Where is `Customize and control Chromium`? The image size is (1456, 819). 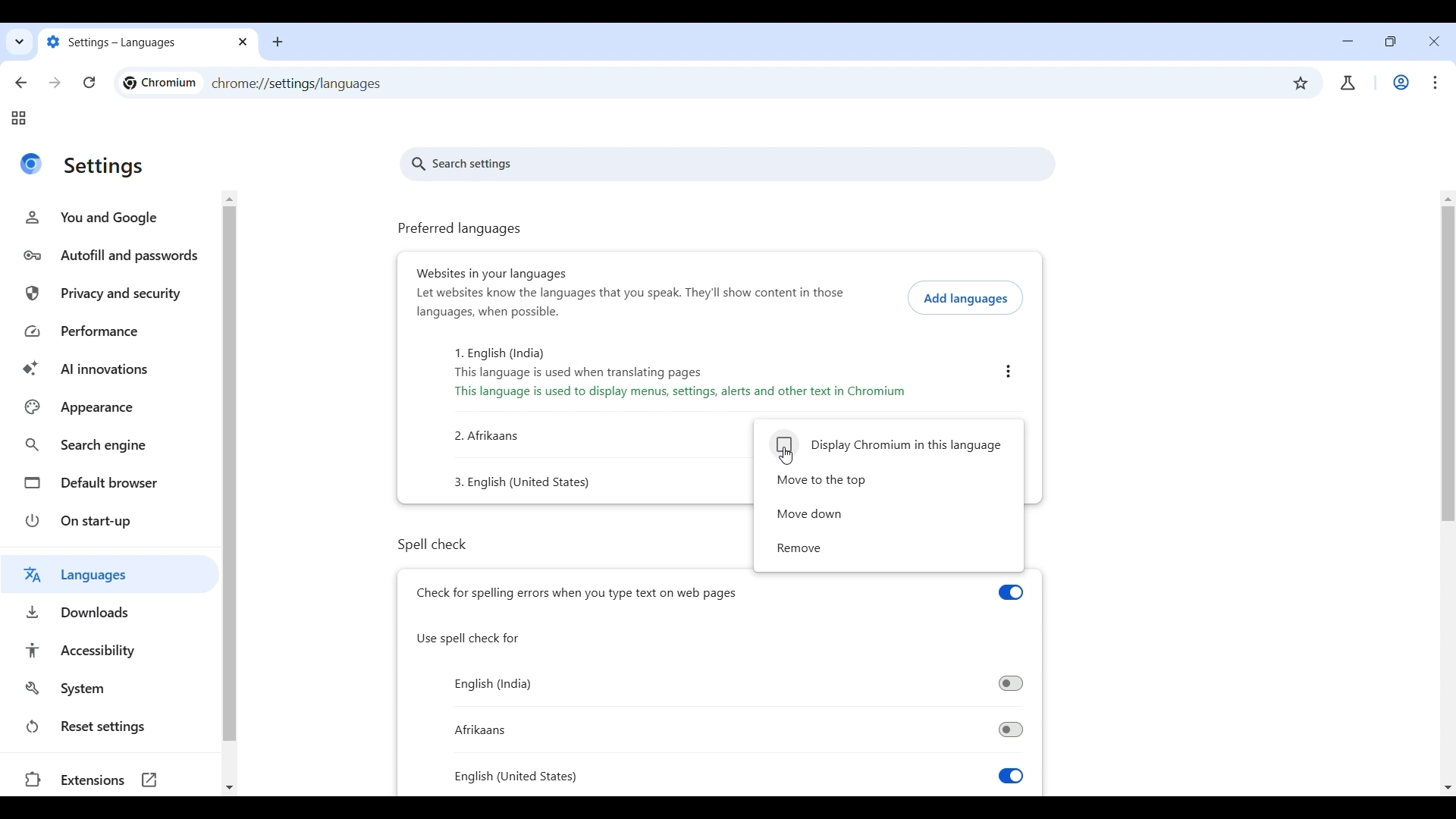
Customize and control Chromium is located at coordinates (1432, 82).